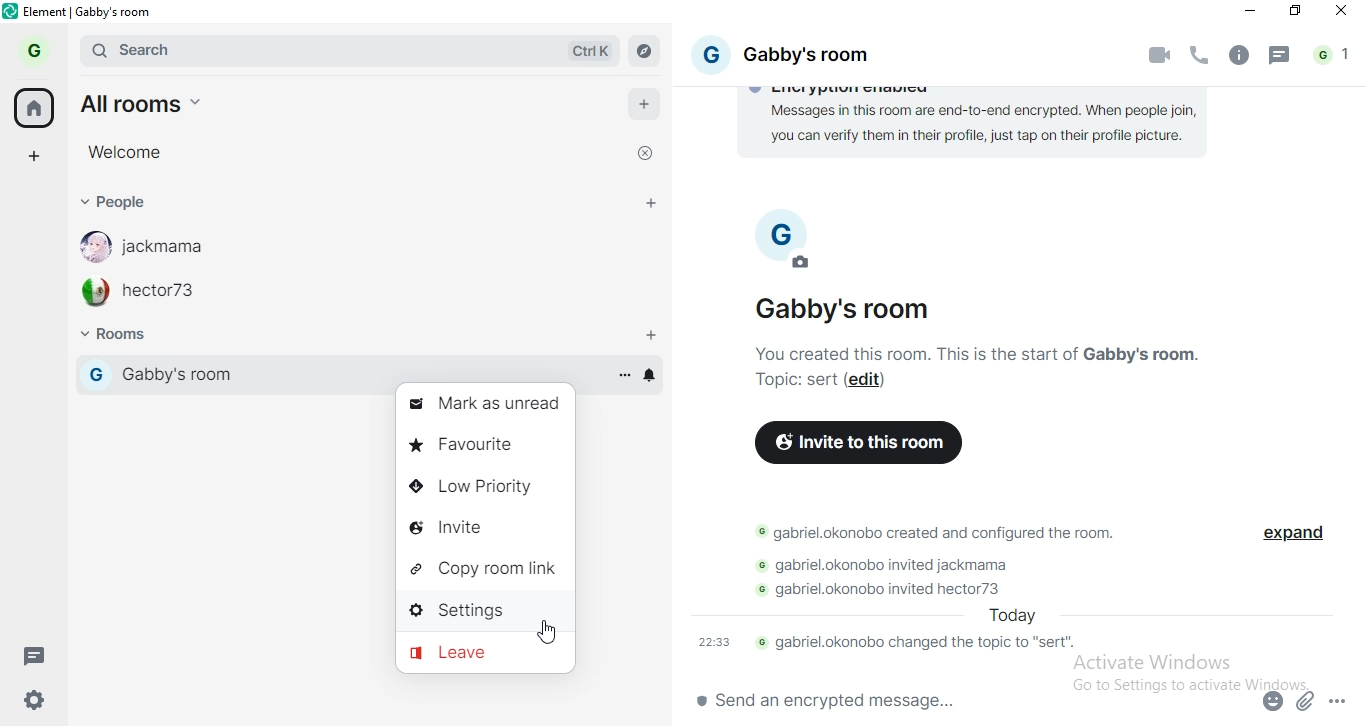 The image size is (1366, 726). What do you see at coordinates (544, 632) in the screenshot?
I see `cursor` at bounding box center [544, 632].